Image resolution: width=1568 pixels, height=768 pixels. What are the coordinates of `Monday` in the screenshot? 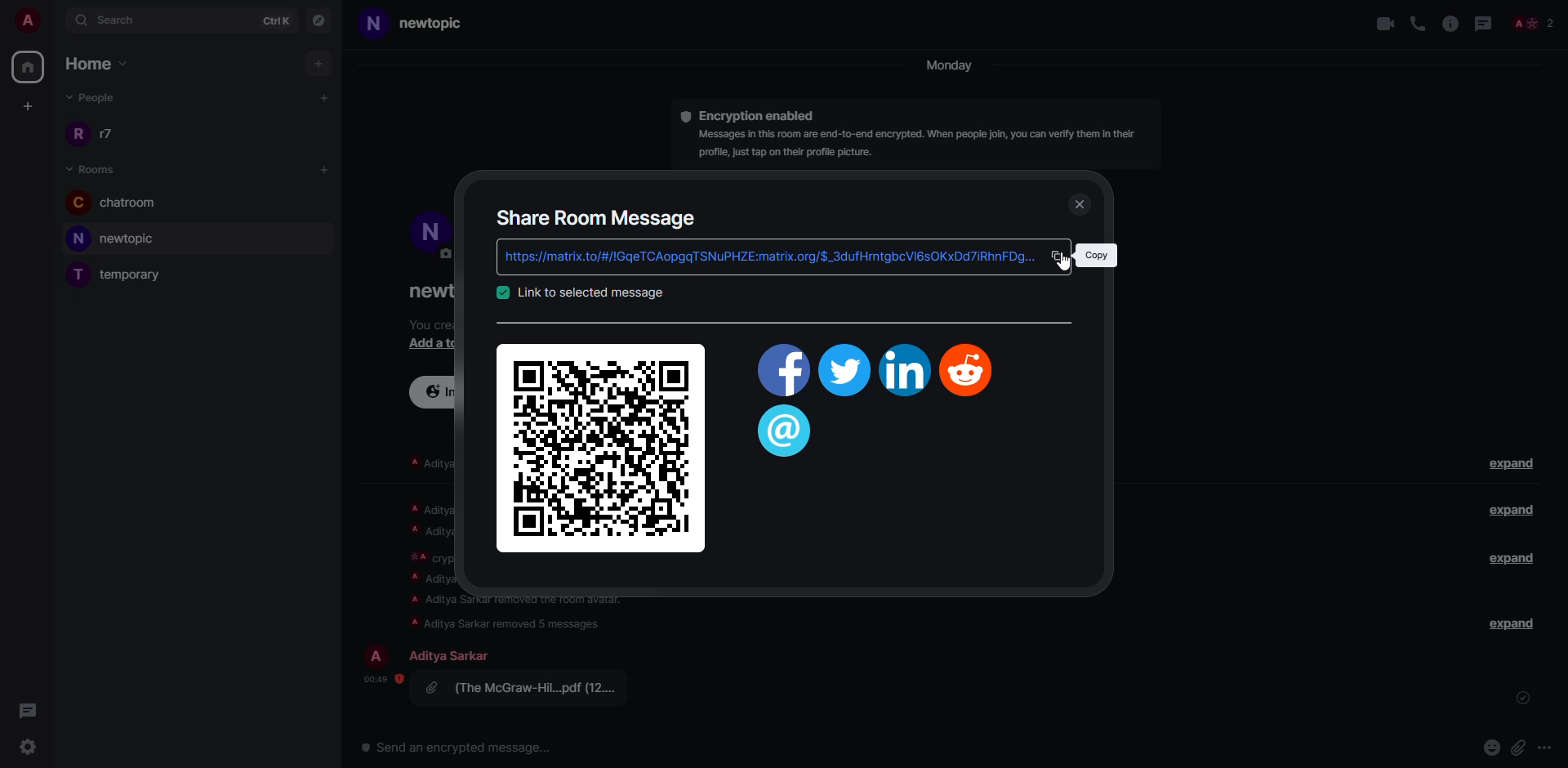 It's located at (951, 66).